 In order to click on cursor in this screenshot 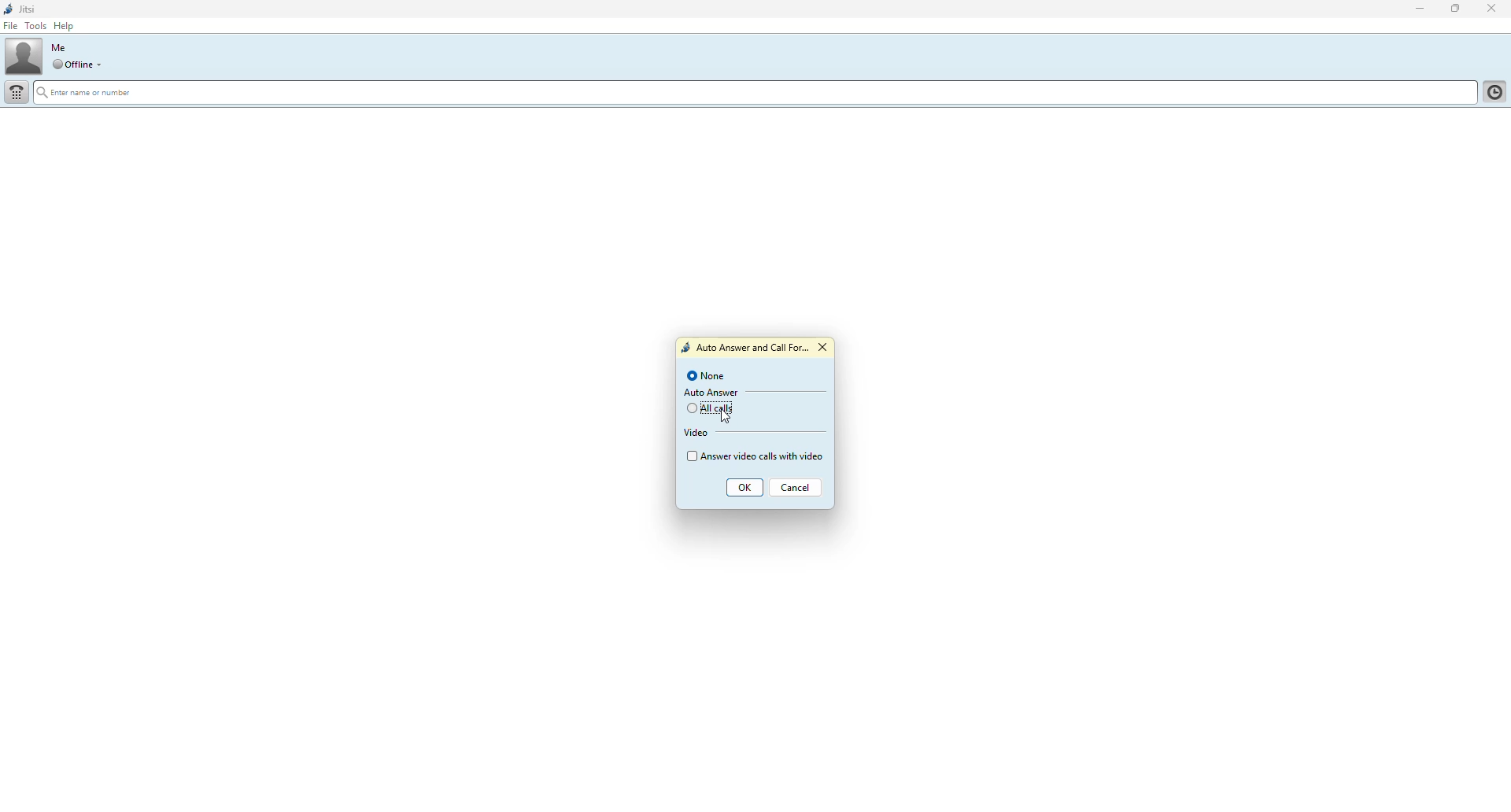, I will do `click(730, 412)`.